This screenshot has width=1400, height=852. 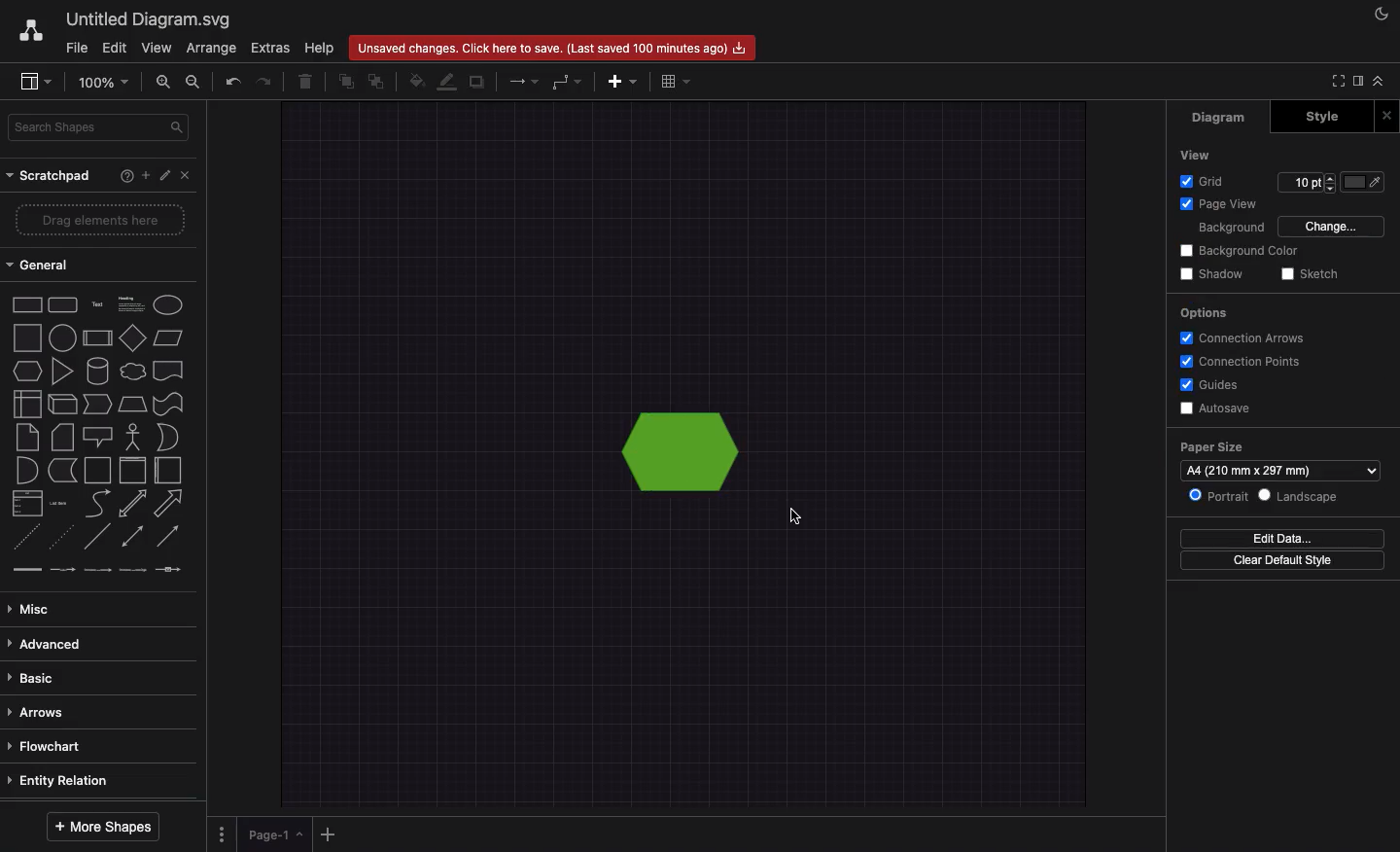 I want to click on Shadow, so click(x=1212, y=274).